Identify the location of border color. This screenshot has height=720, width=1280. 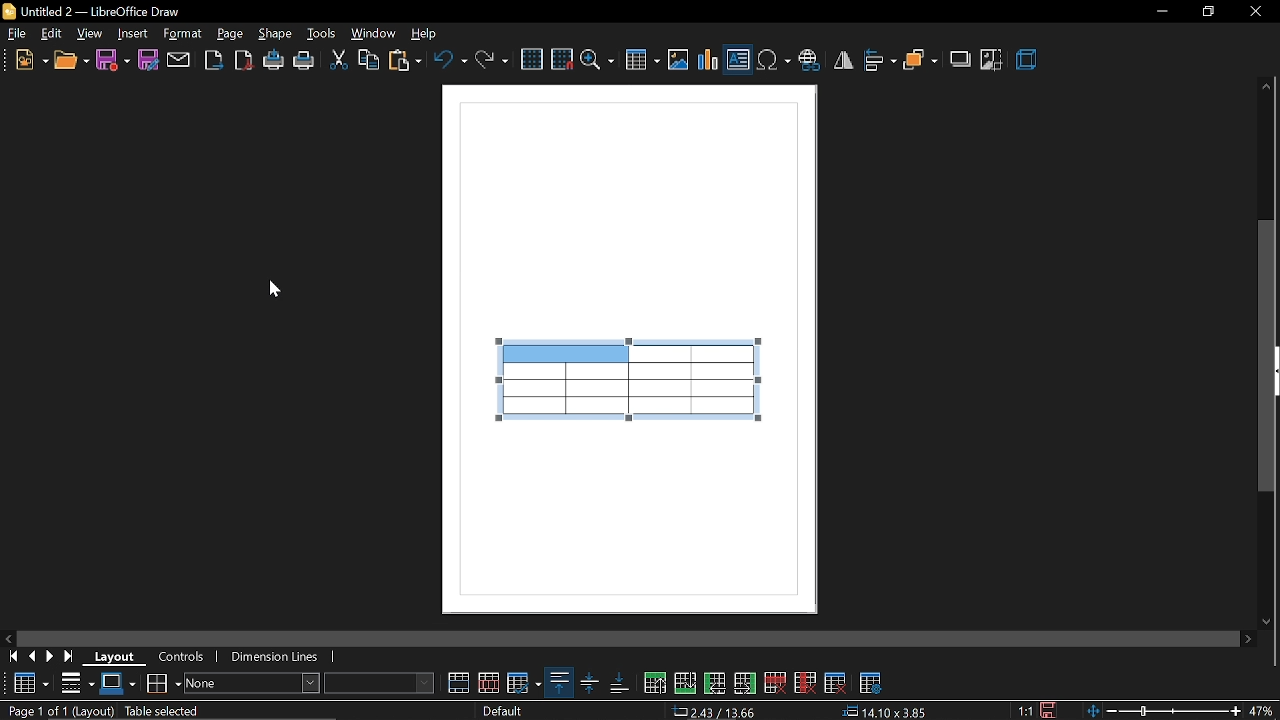
(118, 683).